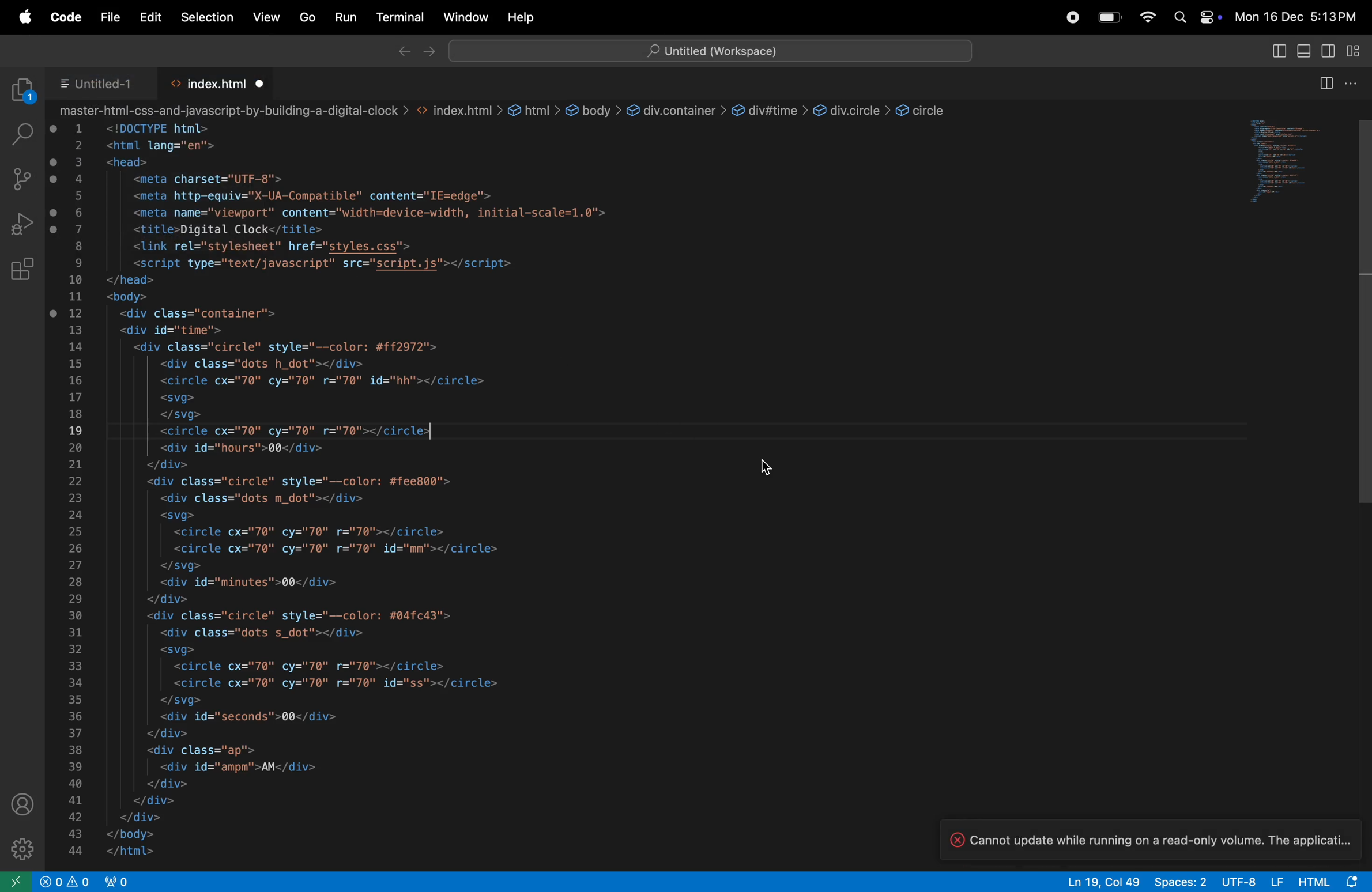  What do you see at coordinates (1363, 312) in the screenshot?
I see `scroll down` at bounding box center [1363, 312].